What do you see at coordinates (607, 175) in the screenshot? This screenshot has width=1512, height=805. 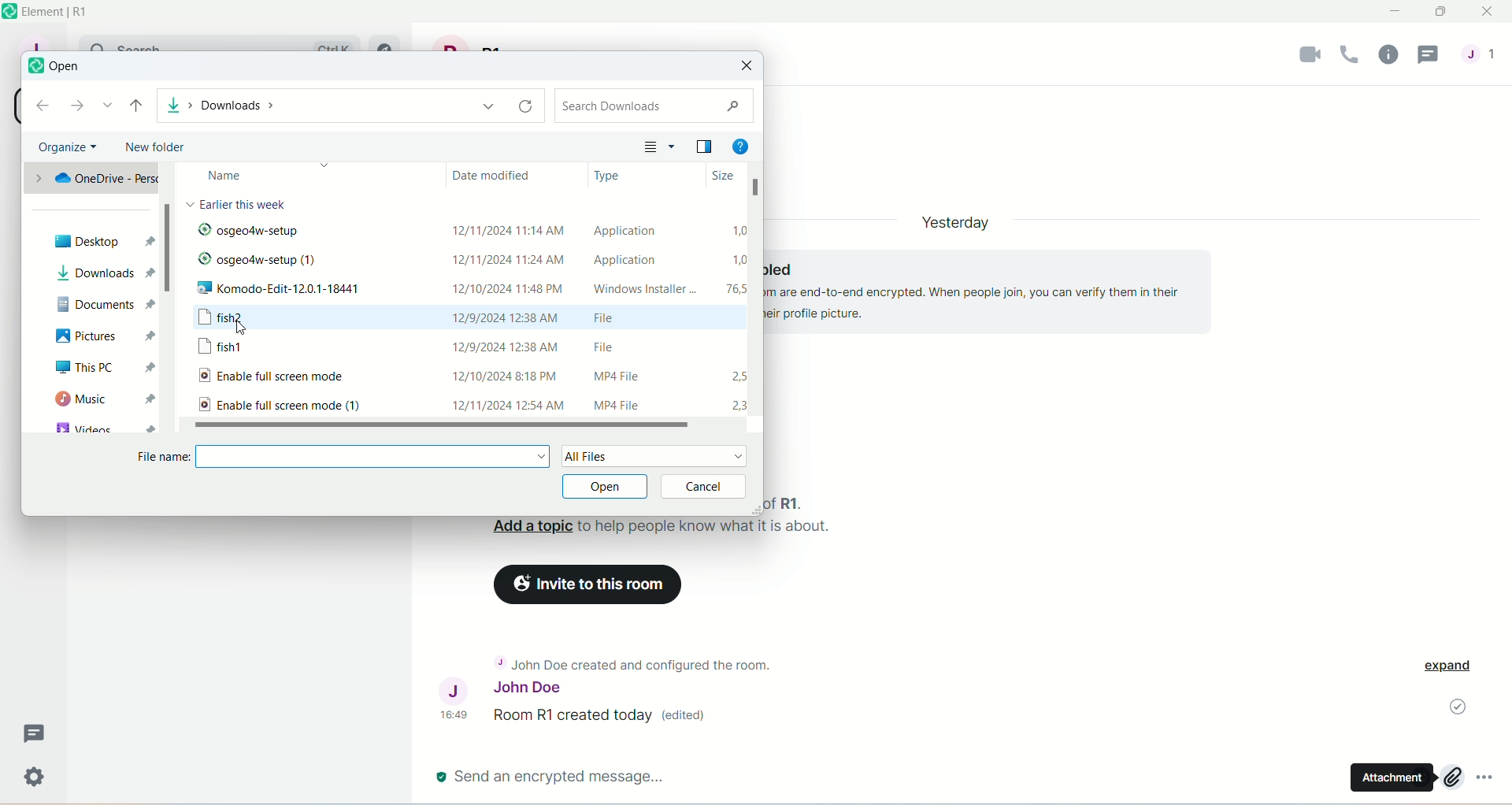 I see `type` at bounding box center [607, 175].